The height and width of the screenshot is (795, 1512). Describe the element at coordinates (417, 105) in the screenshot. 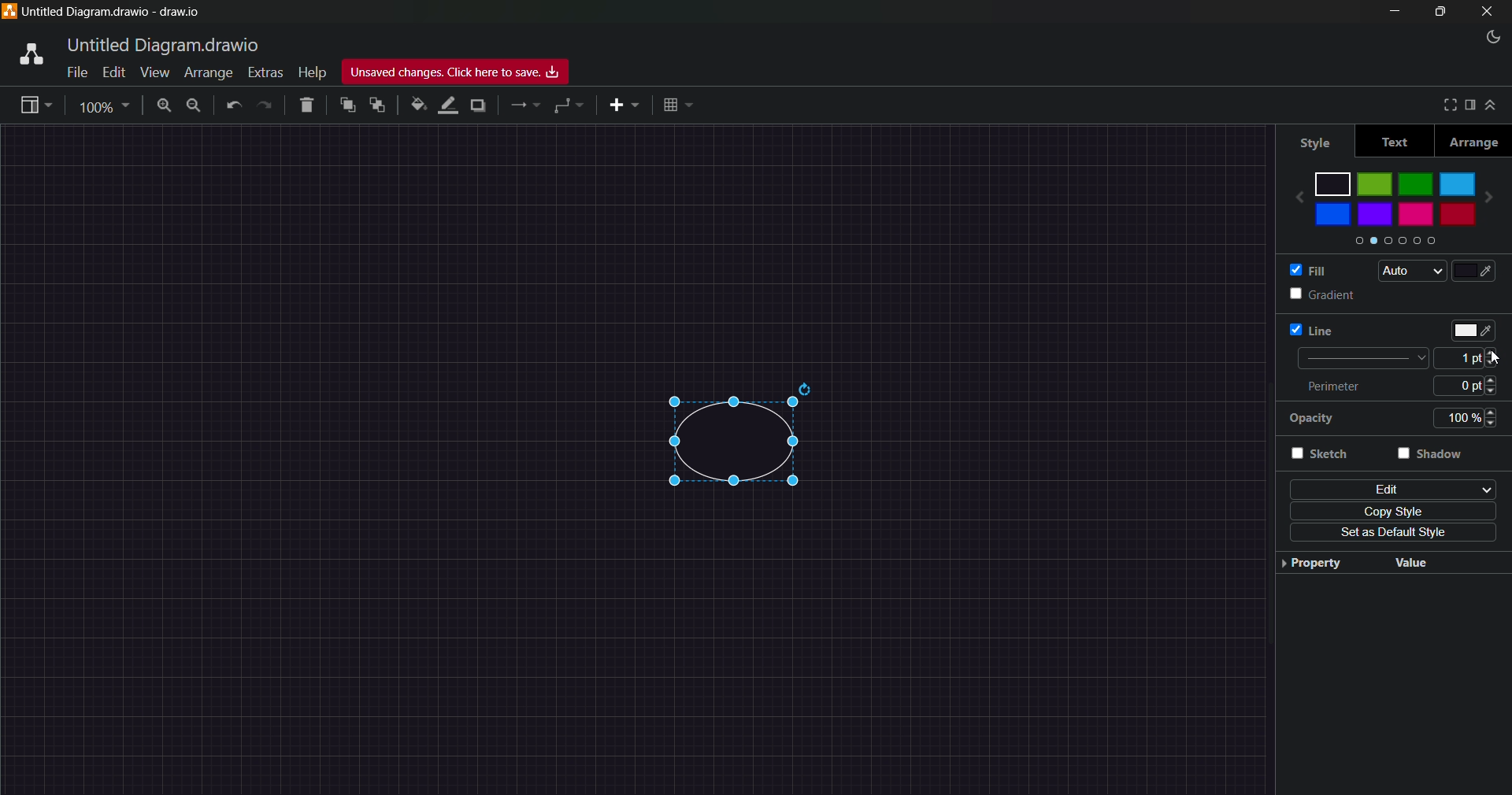

I see `fill color` at that location.